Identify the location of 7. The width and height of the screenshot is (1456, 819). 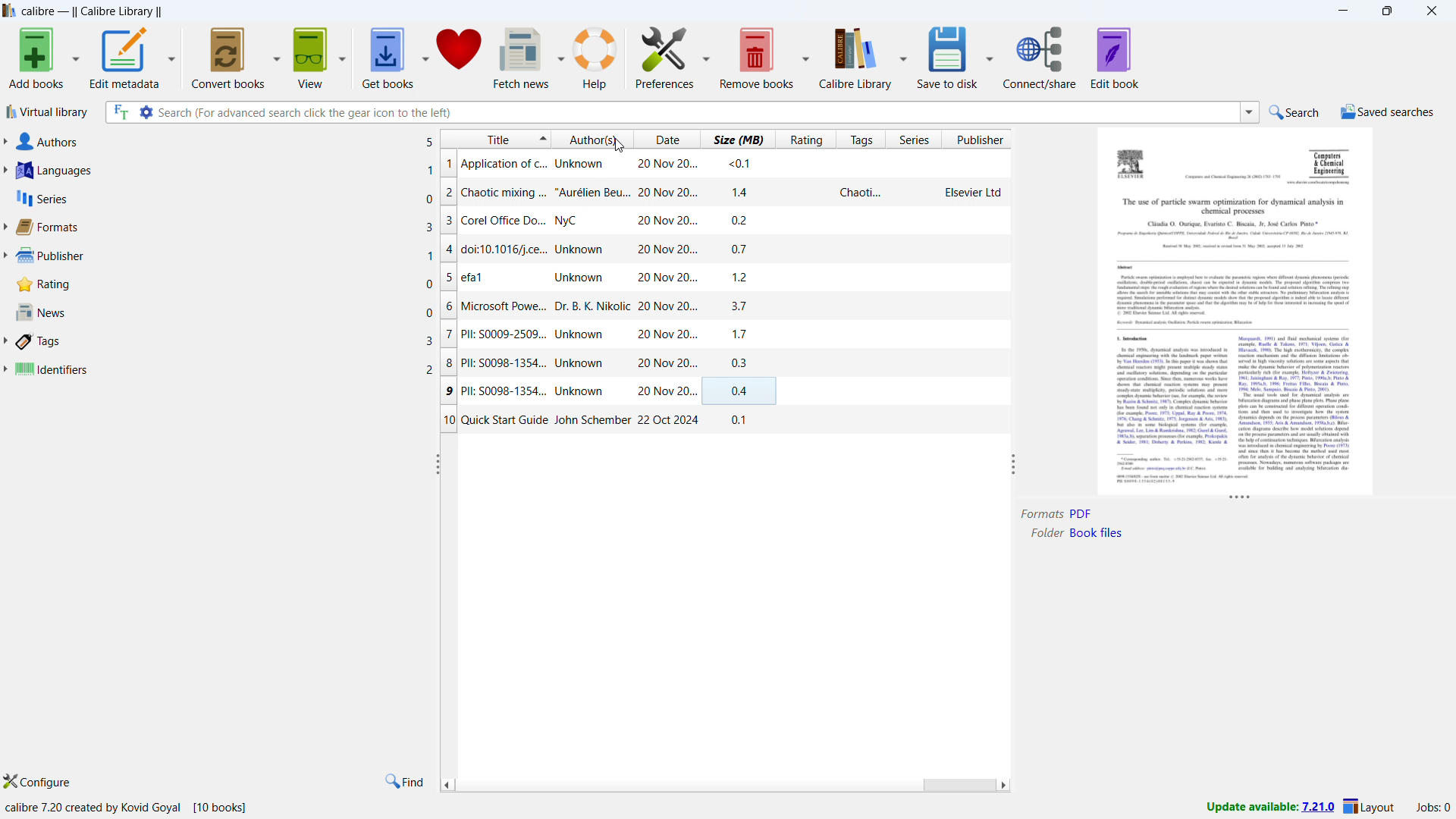
(449, 336).